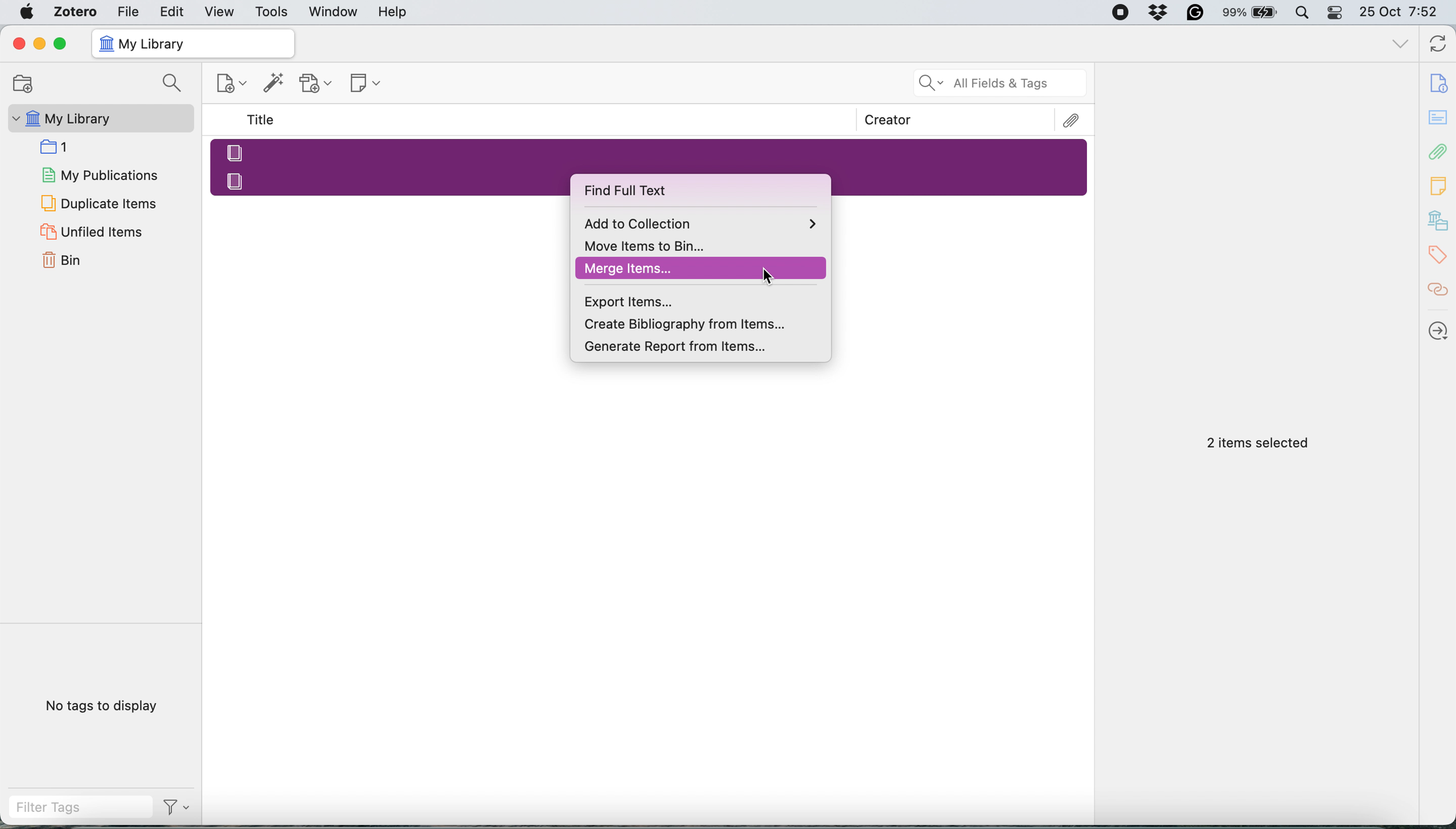 The width and height of the screenshot is (1456, 829). What do you see at coordinates (60, 44) in the screenshot?
I see `Maximize` at bounding box center [60, 44].